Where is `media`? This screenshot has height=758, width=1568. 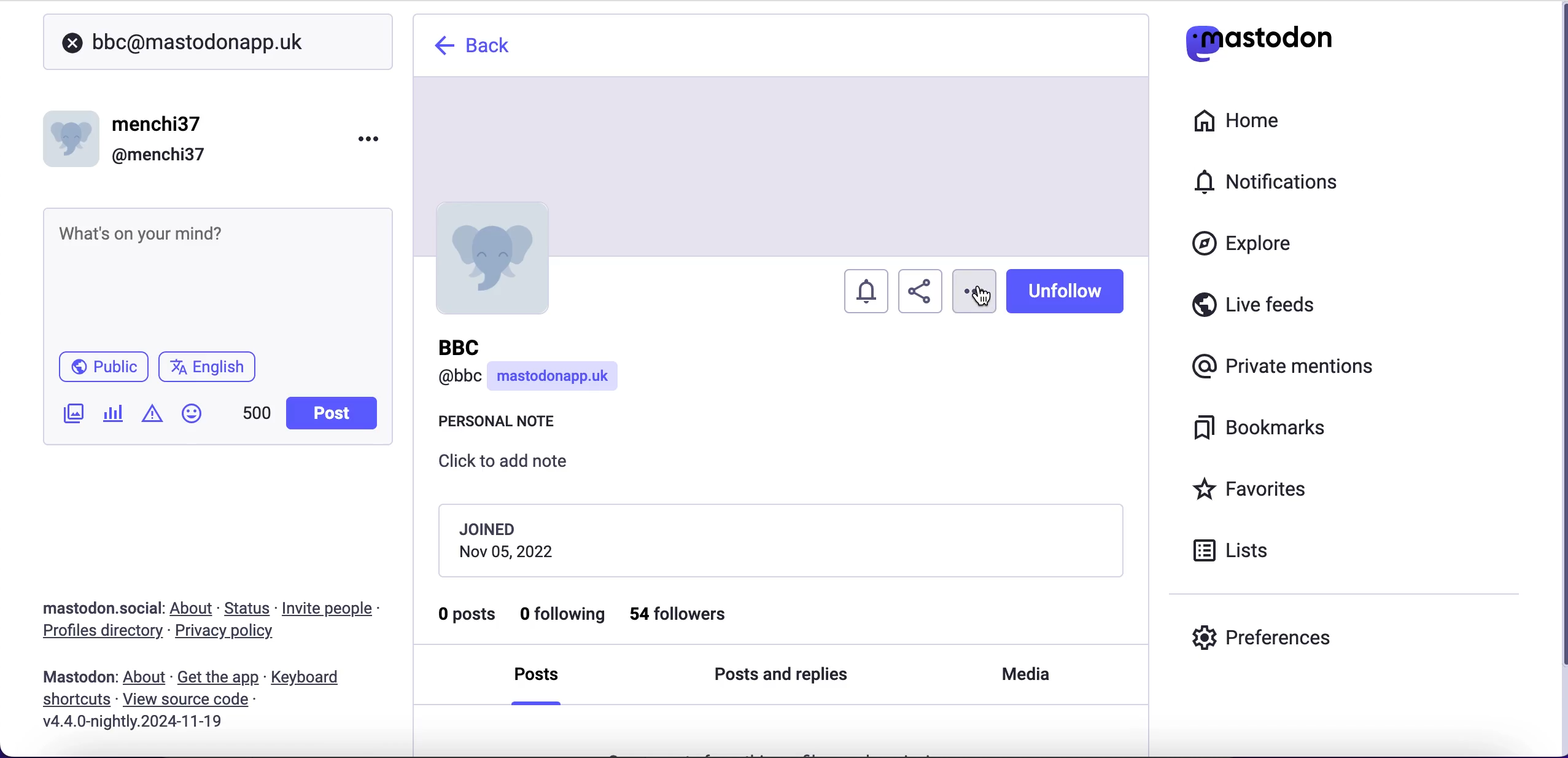
media is located at coordinates (1029, 679).